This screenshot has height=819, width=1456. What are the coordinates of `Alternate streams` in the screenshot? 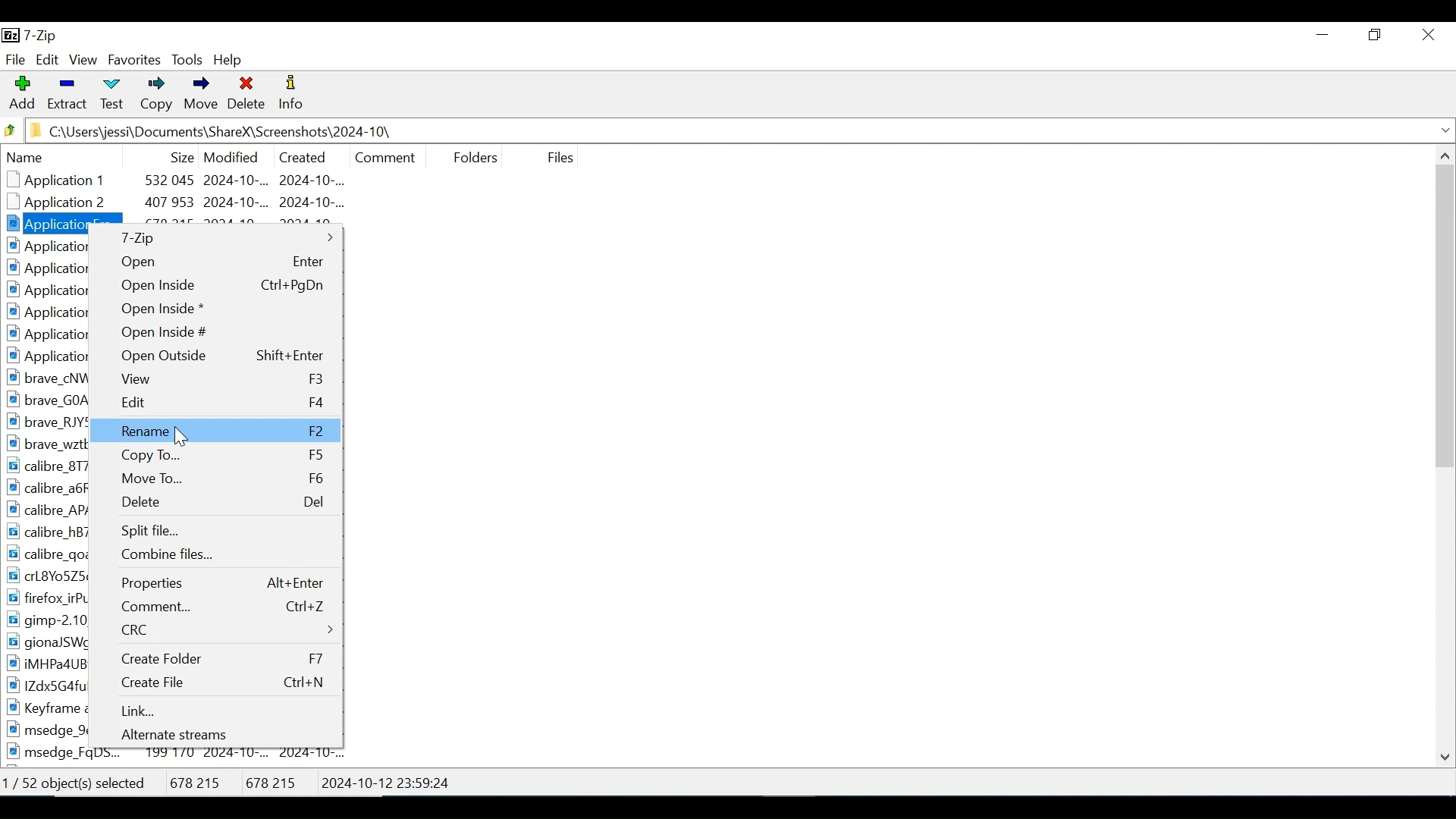 It's located at (218, 733).